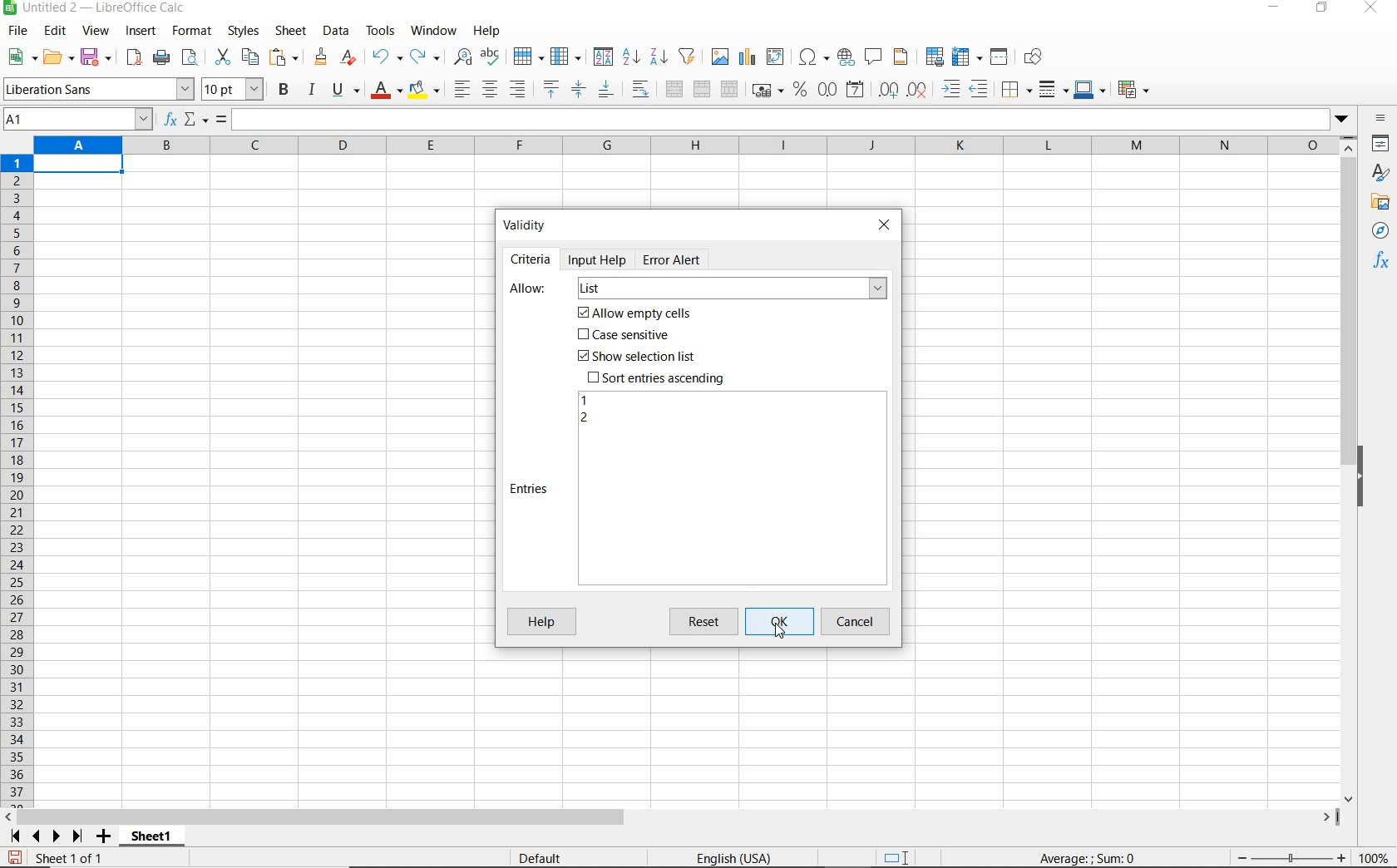 This screenshot has width=1397, height=868. What do you see at coordinates (490, 90) in the screenshot?
I see `align center` at bounding box center [490, 90].